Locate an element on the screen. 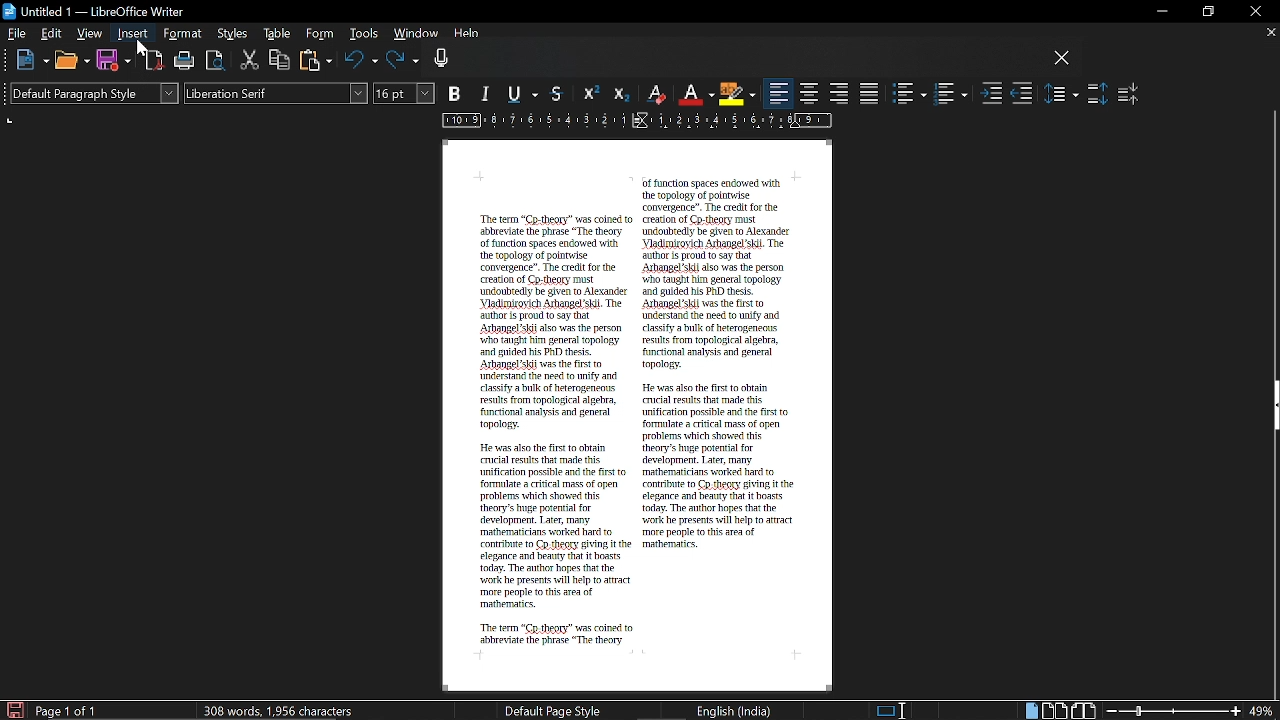 This screenshot has height=720, width=1280. Open is located at coordinates (71, 62).